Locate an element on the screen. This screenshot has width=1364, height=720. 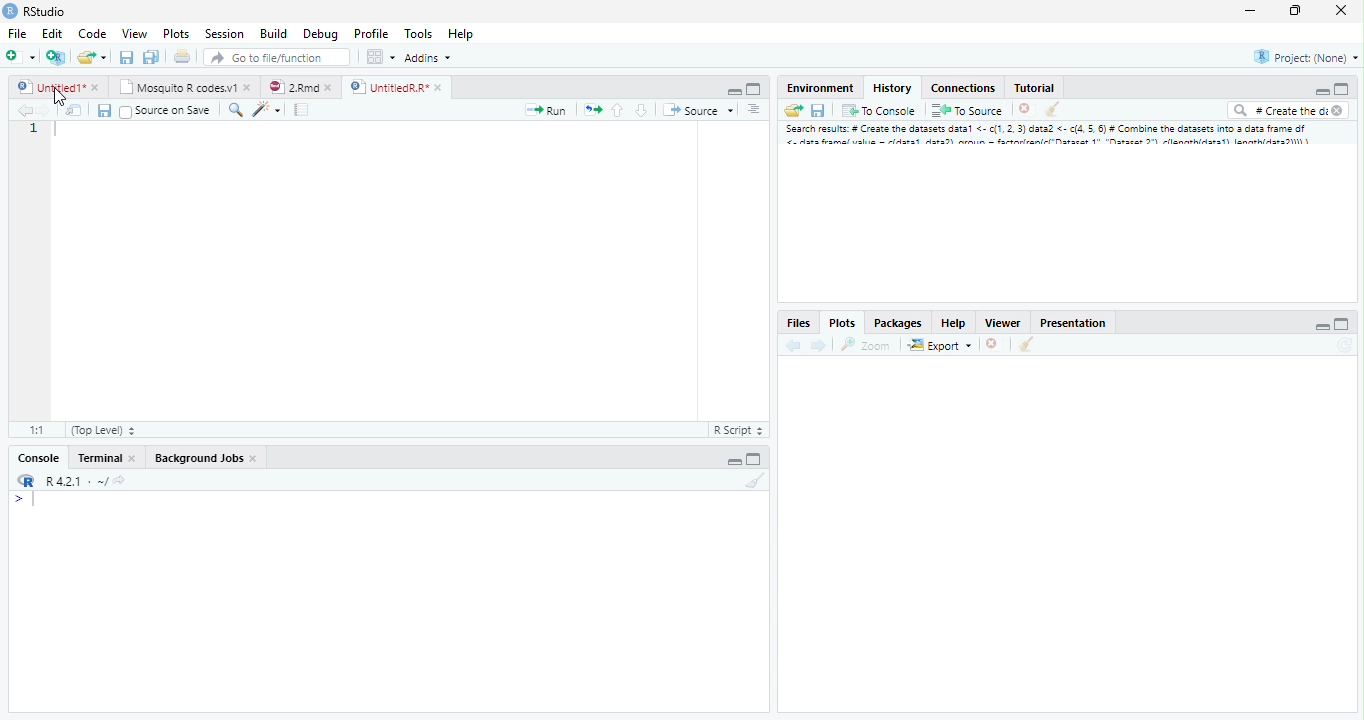
Pages is located at coordinates (593, 112).